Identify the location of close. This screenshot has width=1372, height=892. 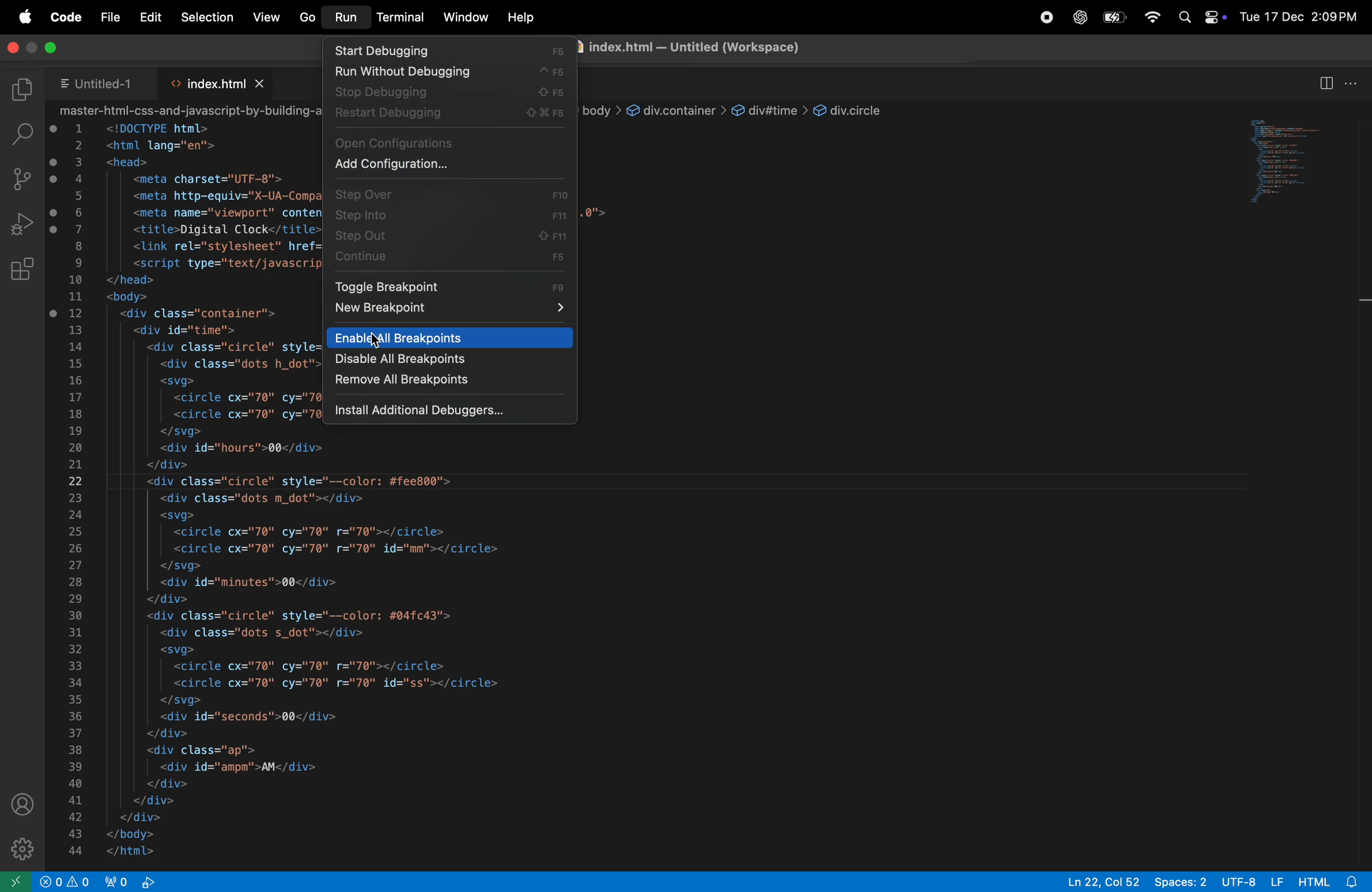
(261, 82).